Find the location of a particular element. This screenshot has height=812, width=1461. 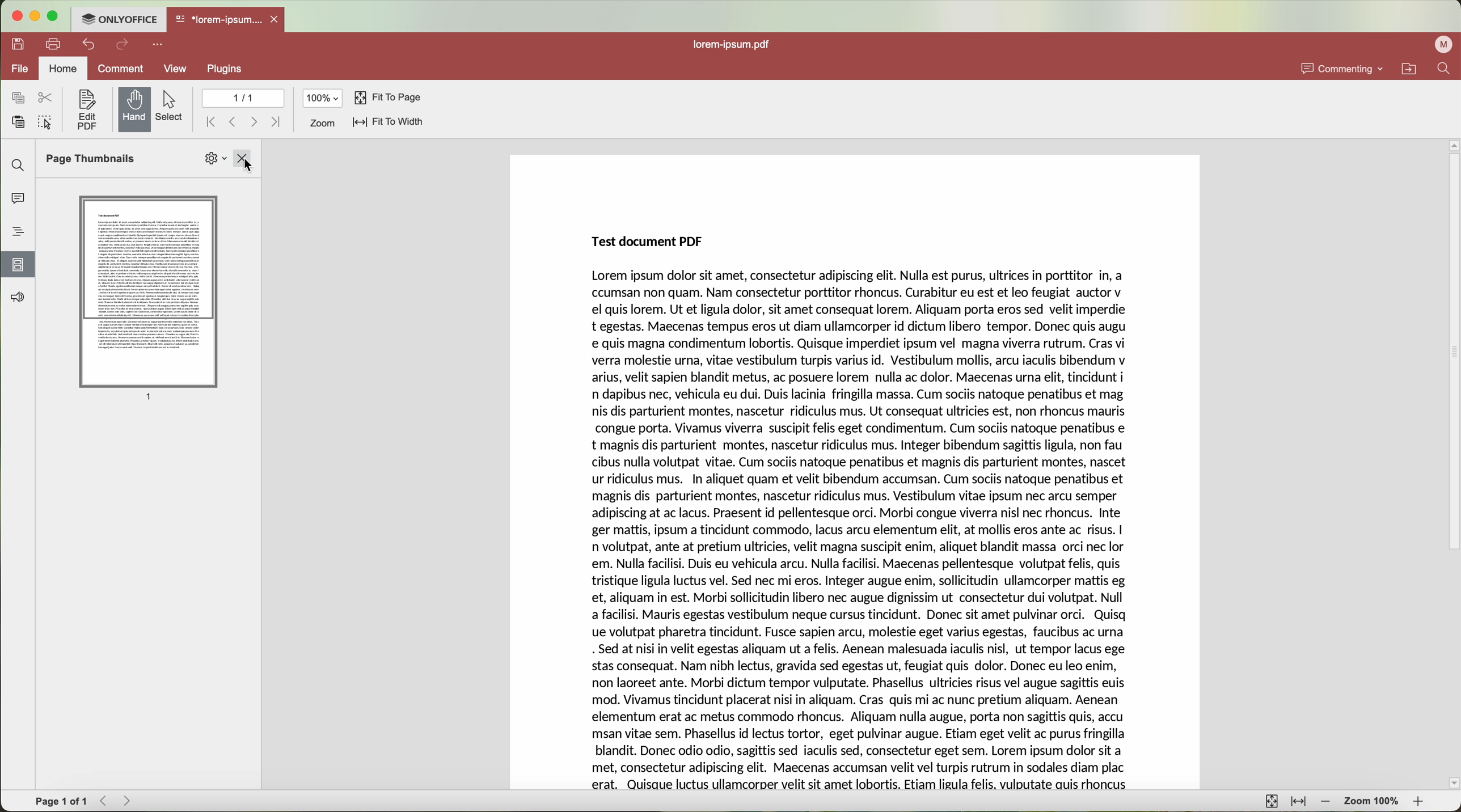

zoom out is located at coordinates (1326, 803).